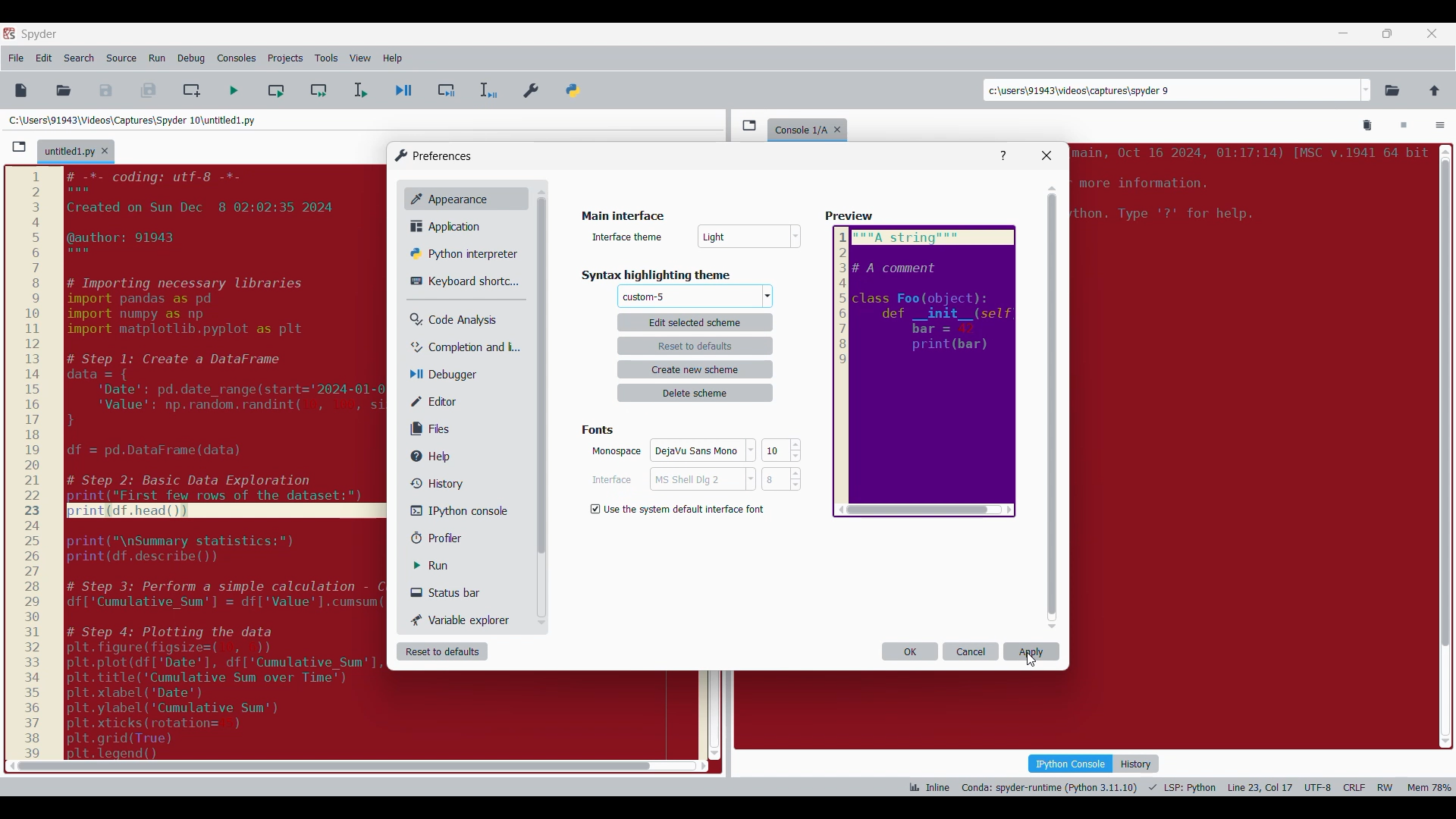  What do you see at coordinates (1046, 155) in the screenshot?
I see `Close` at bounding box center [1046, 155].